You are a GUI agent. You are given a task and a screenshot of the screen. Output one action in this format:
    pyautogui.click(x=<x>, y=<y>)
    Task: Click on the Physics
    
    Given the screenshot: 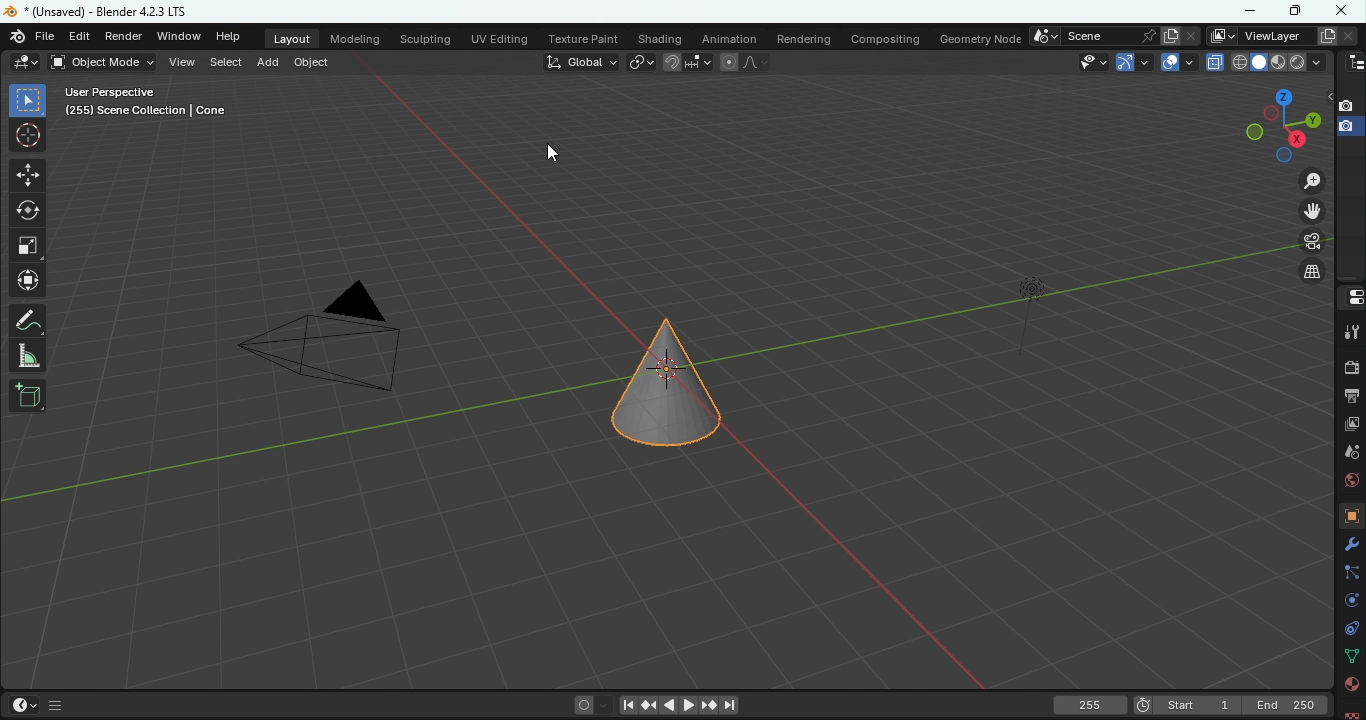 What is the action you would take?
    pyautogui.click(x=1351, y=601)
    